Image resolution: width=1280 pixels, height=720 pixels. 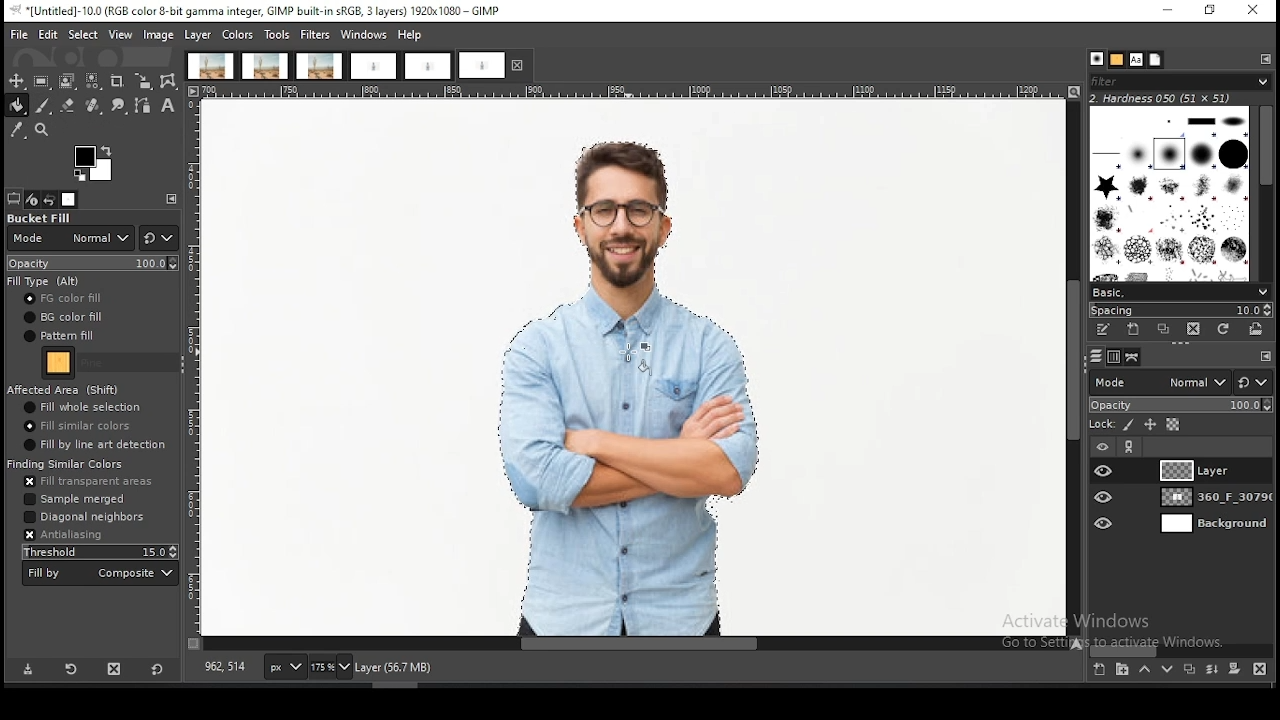 What do you see at coordinates (1096, 59) in the screenshot?
I see `brushes` at bounding box center [1096, 59].